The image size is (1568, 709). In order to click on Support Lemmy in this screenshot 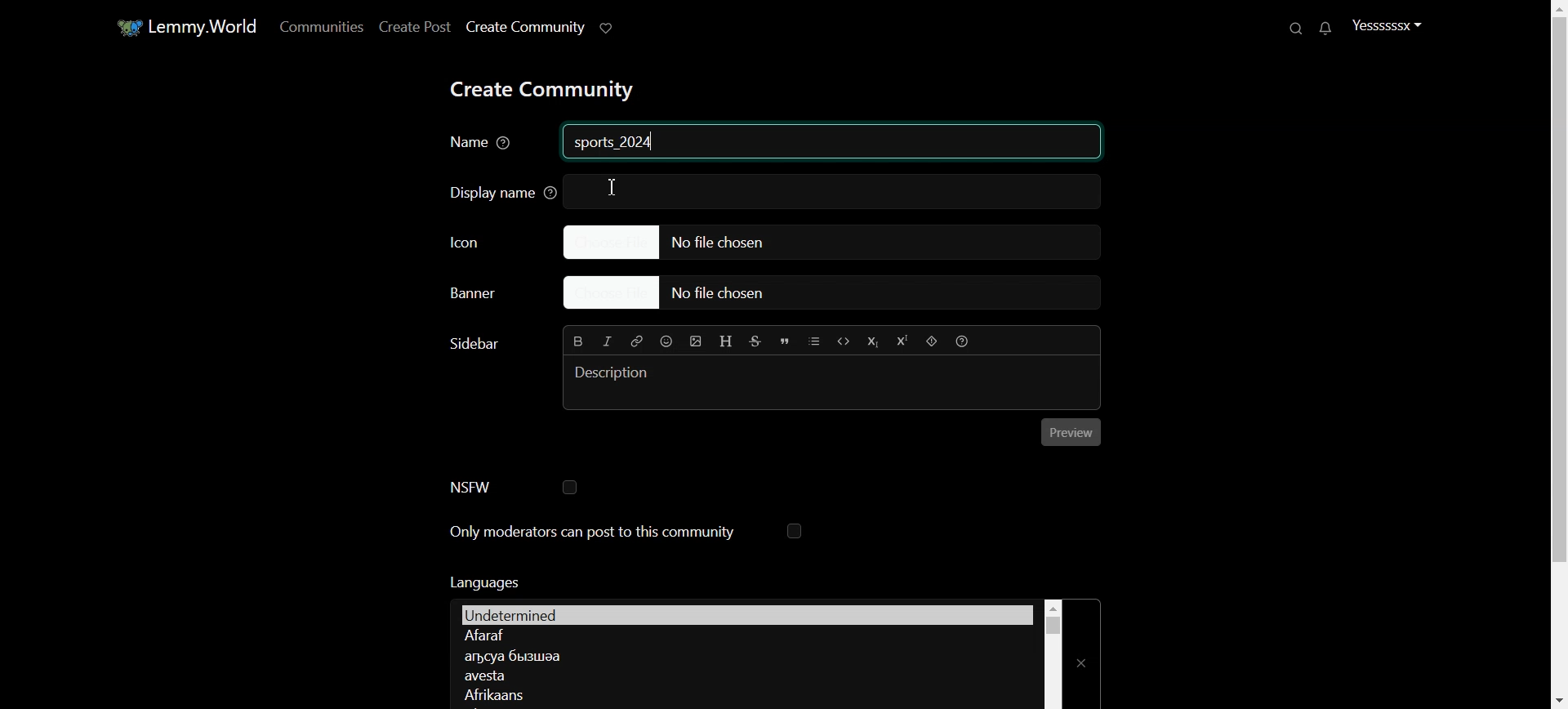, I will do `click(608, 27)`.